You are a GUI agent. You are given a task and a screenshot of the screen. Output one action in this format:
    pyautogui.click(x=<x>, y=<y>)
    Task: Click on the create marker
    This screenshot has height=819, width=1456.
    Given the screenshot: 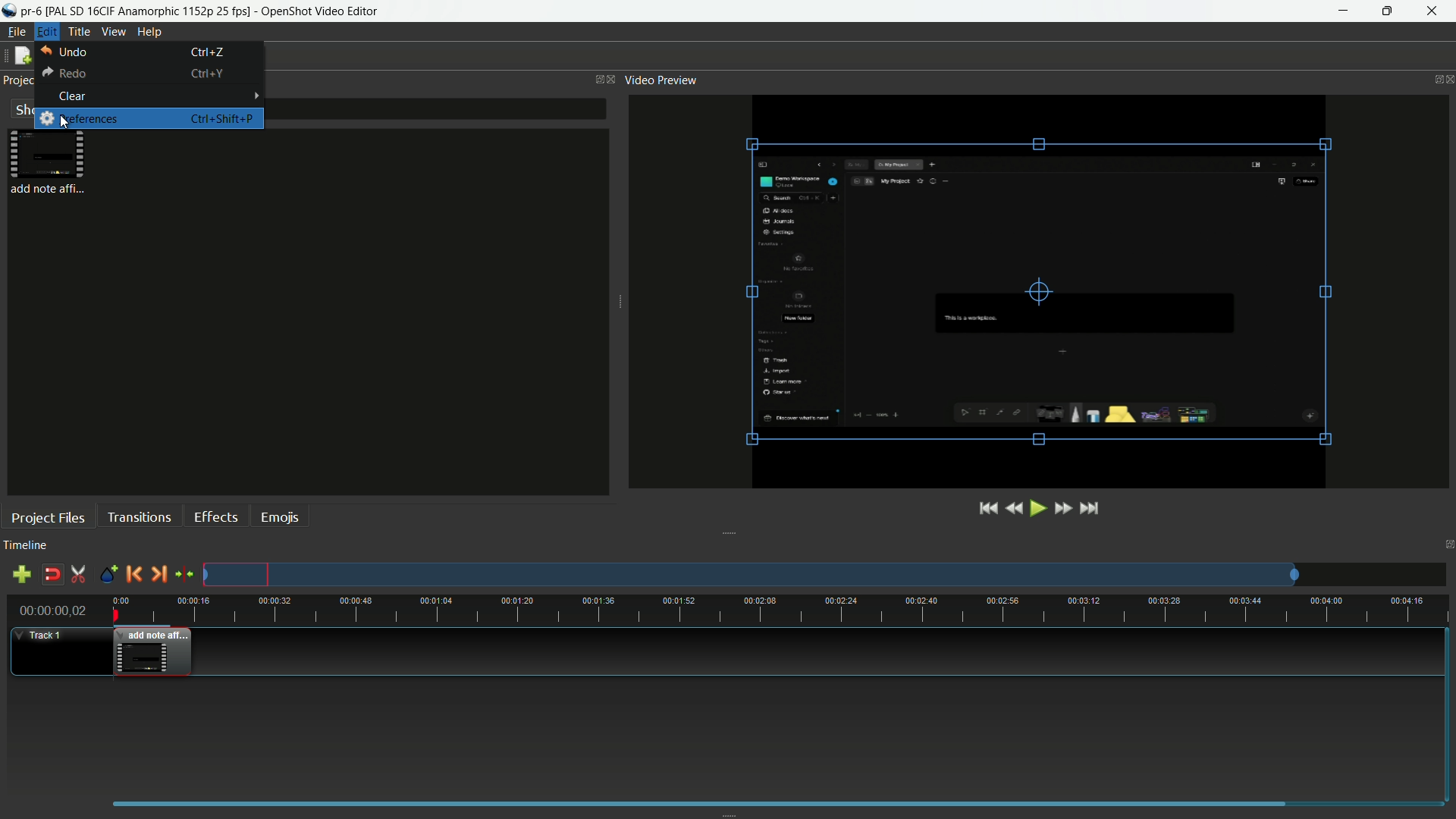 What is the action you would take?
    pyautogui.click(x=108, y=575)
    